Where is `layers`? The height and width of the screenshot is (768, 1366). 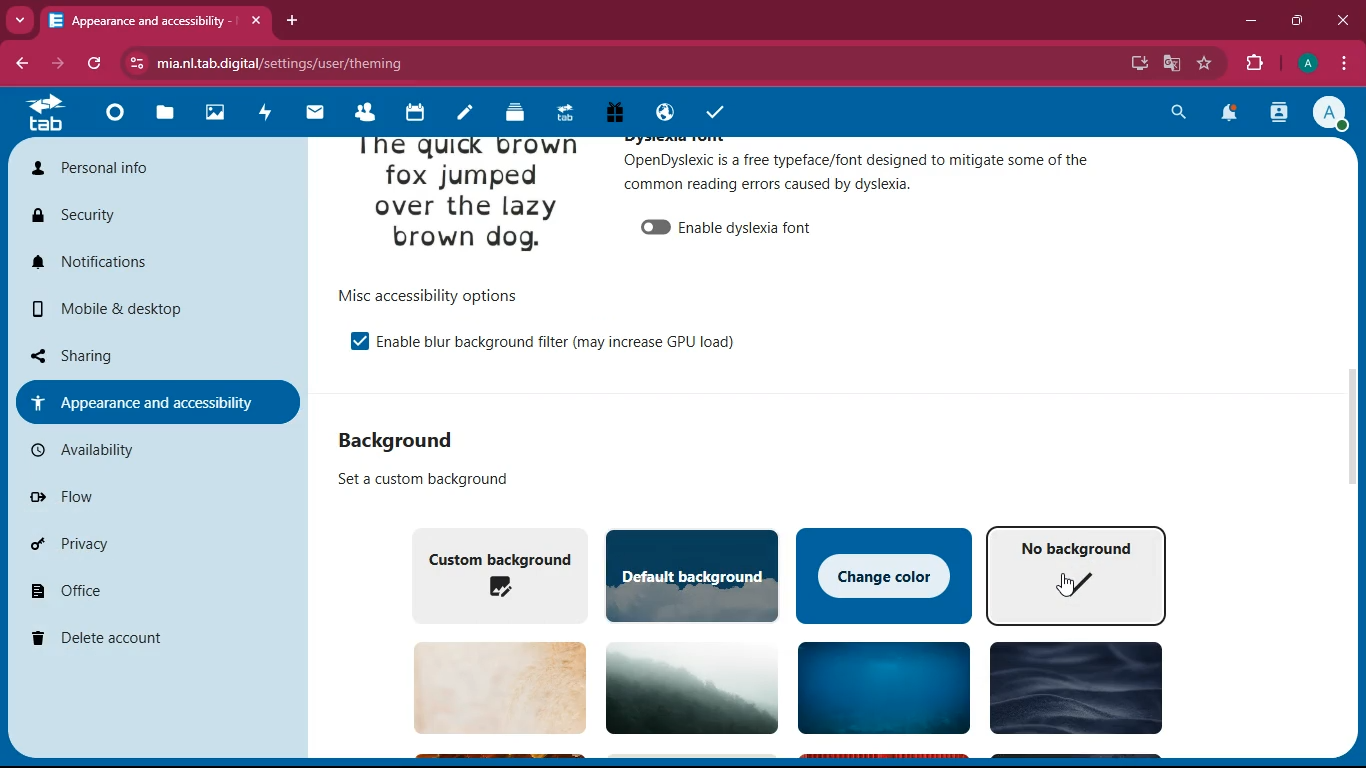 layers is located at coordinates (508, 113).